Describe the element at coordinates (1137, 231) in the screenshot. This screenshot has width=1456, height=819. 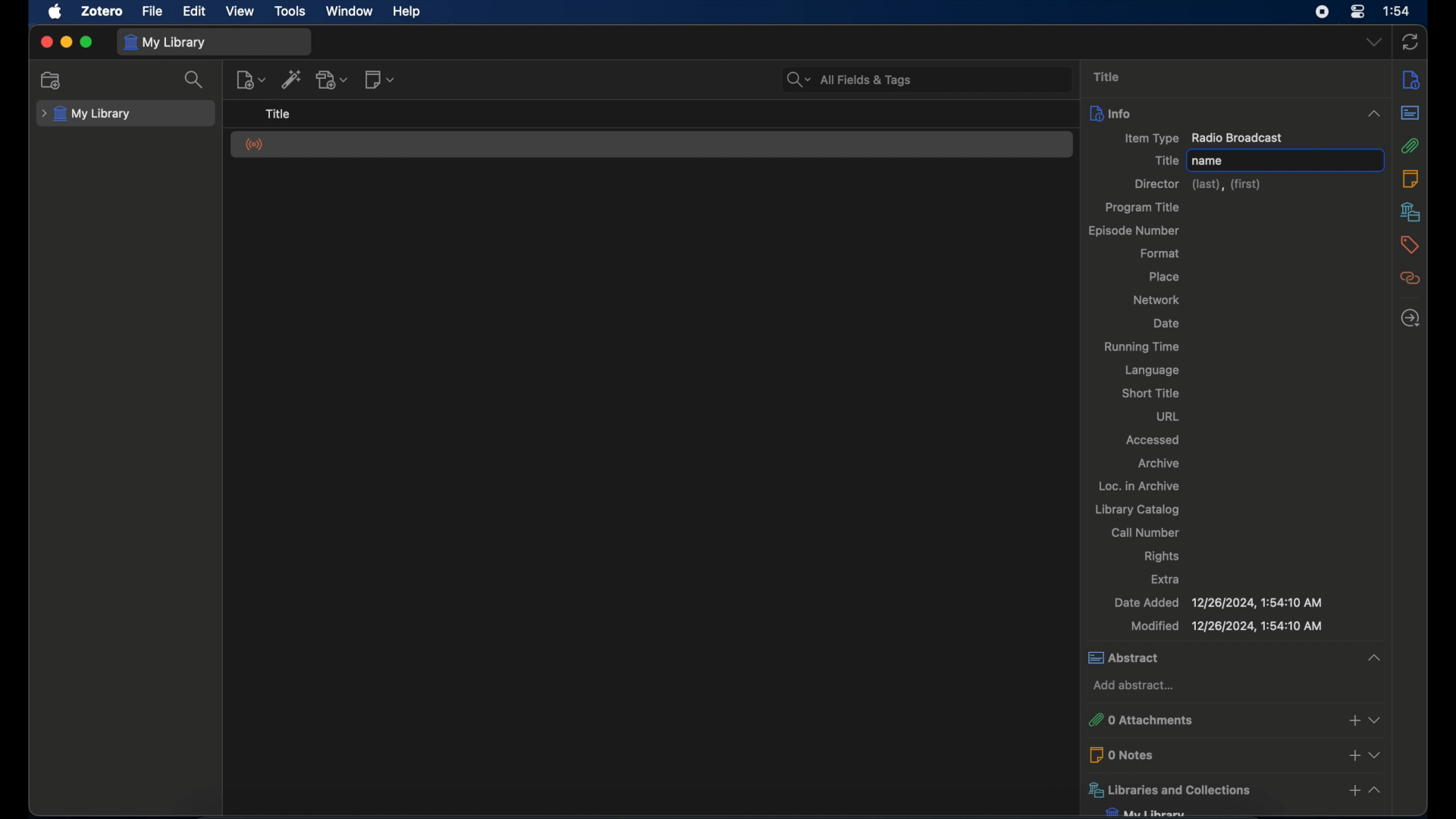
I see `episode number` at that location.